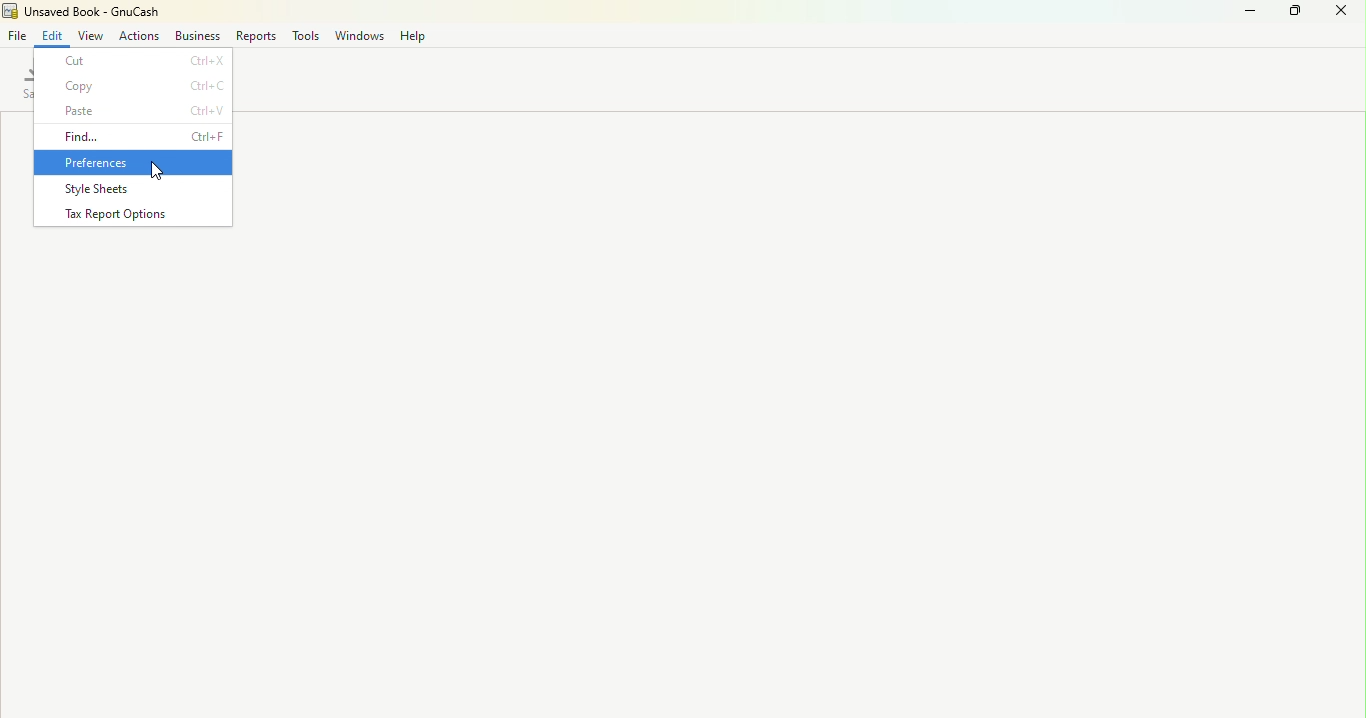 The height and width of the screenshot is (718, 1366). What do you see at coordinates (137, 161) in the screenshot?
I see `Preferences` at bounding box center [137, 161].